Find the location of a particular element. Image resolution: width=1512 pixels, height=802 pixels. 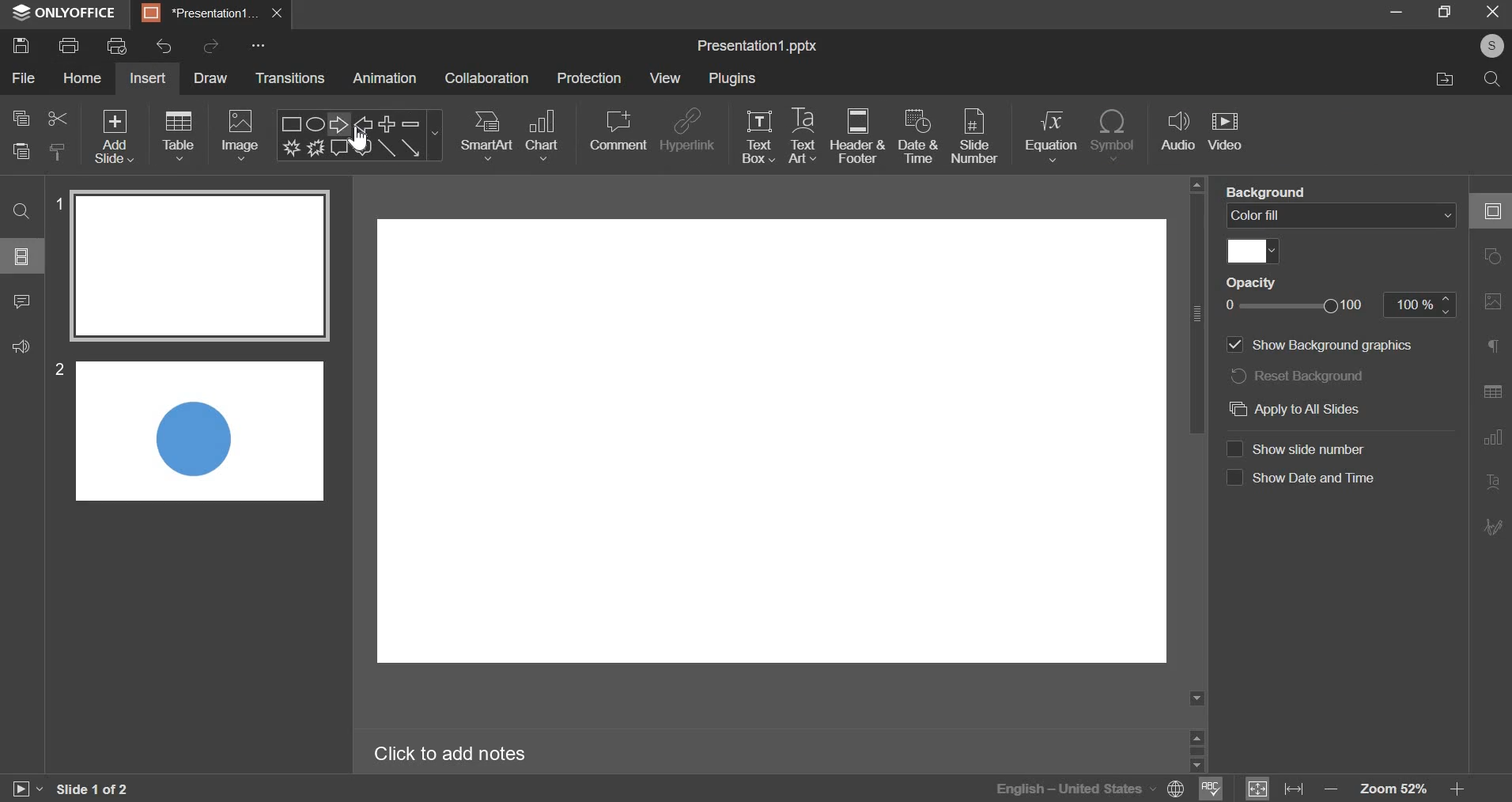

opacity is located at coordinates (1258, 282).